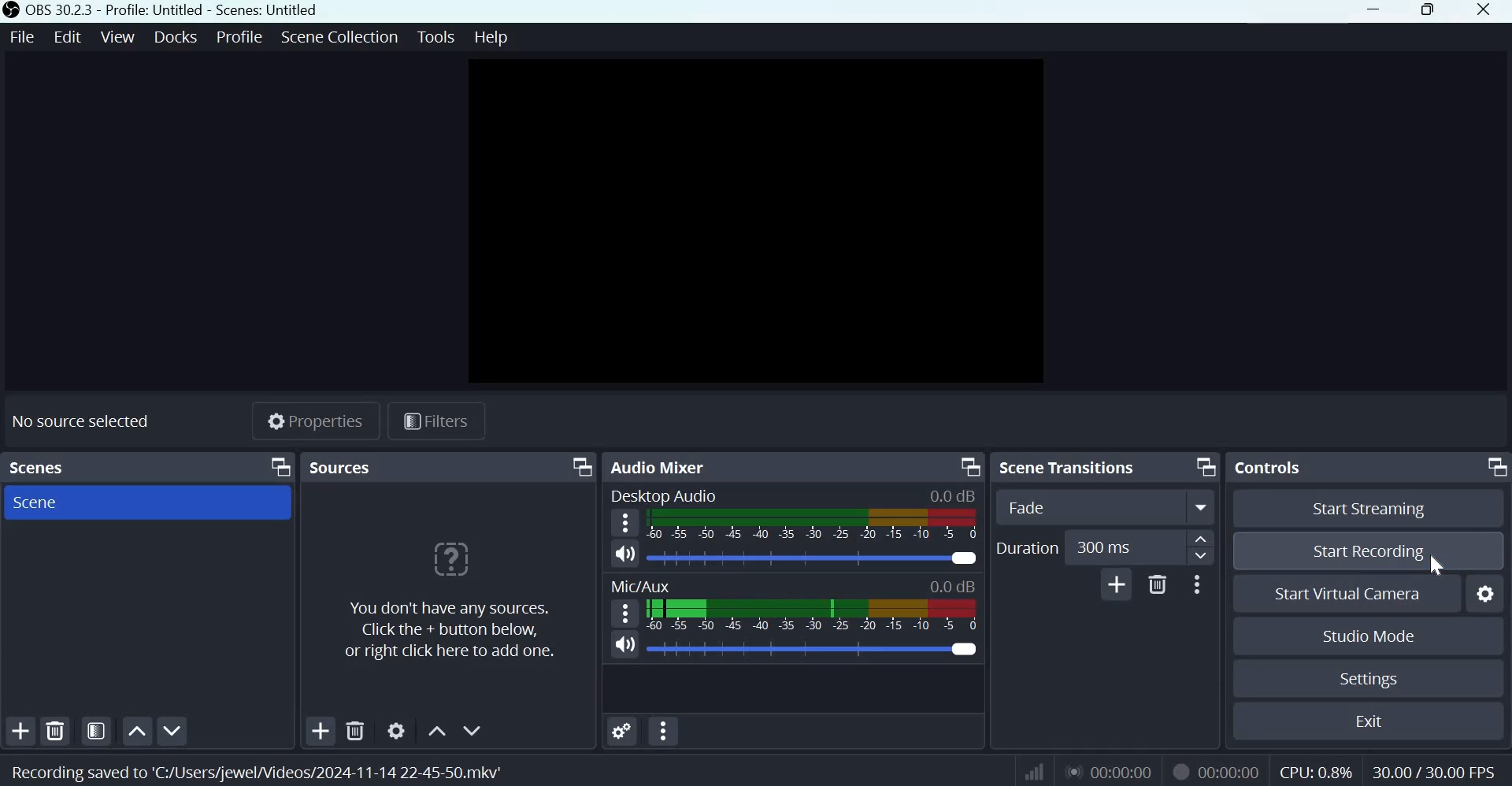 The height and width of the screenshot is (786, 1512). What do you see at coordinates (1350, 594) in the screenshot?
I see `Start Virtual Camera` at bounding box center [1350, 594].